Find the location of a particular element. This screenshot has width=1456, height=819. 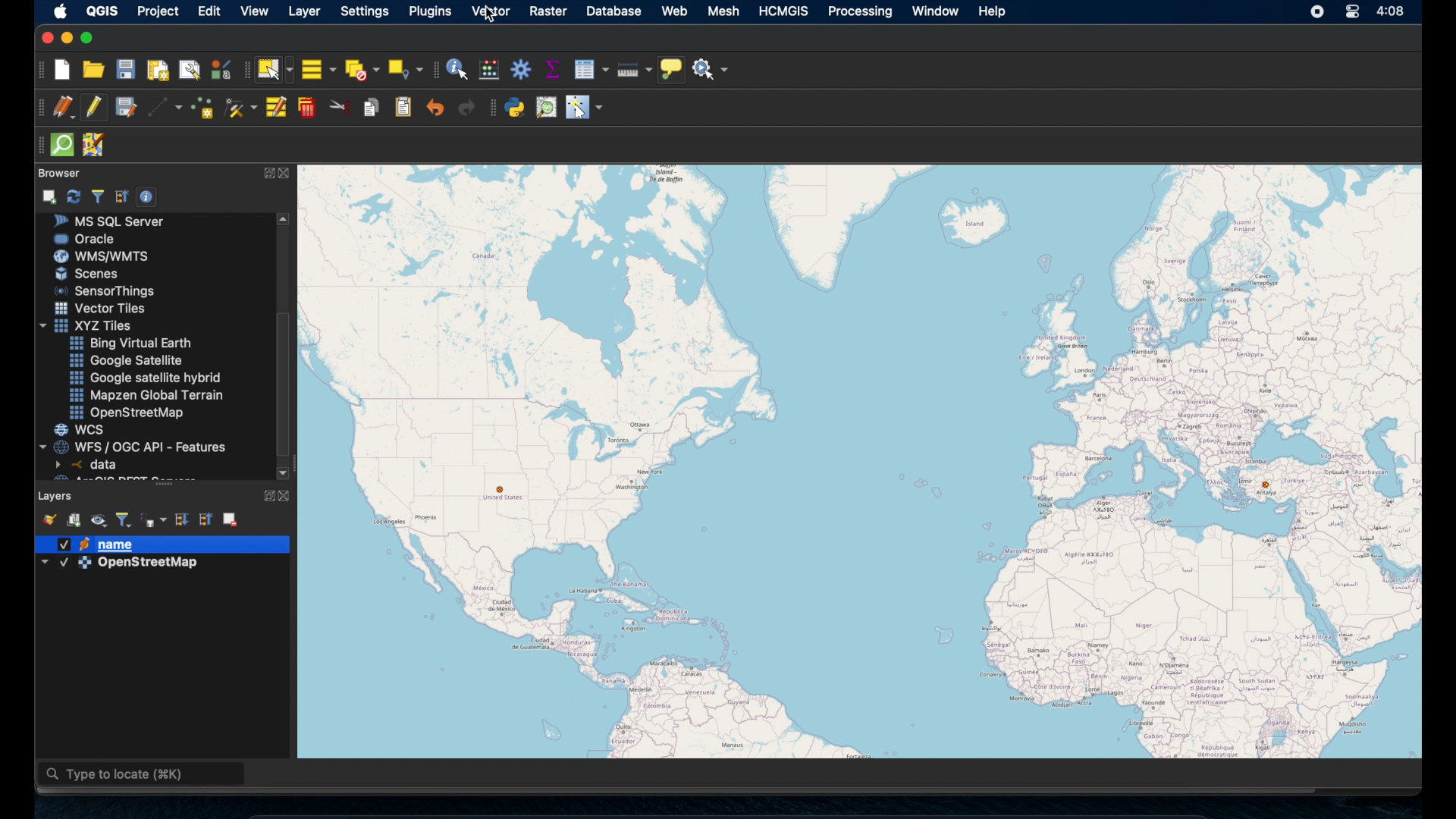

deselect features form all layers is located at coordinates (363, 69).